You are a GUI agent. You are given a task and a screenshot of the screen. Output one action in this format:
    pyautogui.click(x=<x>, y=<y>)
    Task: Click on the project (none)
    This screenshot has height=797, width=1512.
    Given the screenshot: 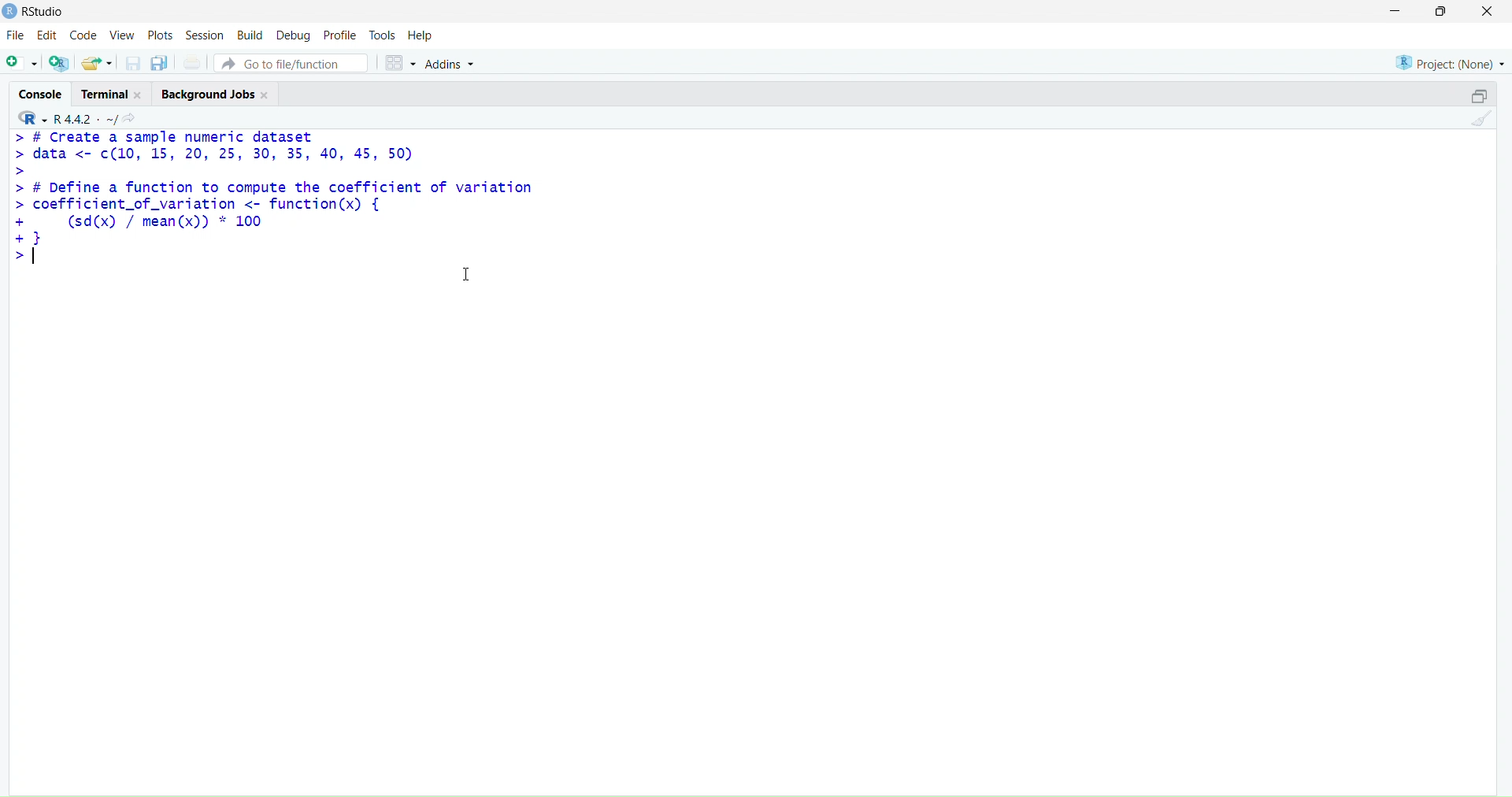 What is the action you would take?
    pyautogui.click(x=1450, y=63)
    